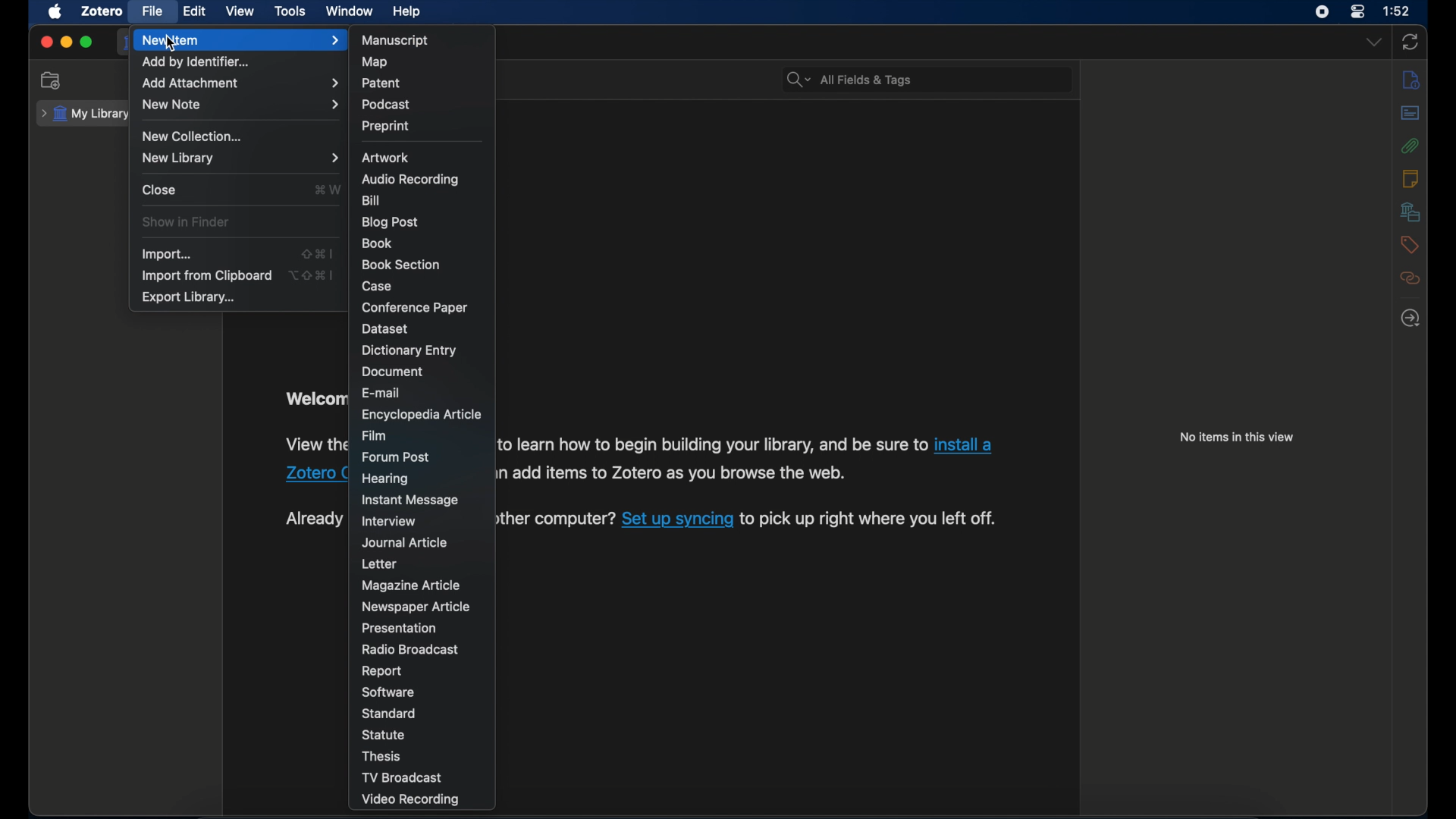  I want to click on new collection, so click(52, 80).